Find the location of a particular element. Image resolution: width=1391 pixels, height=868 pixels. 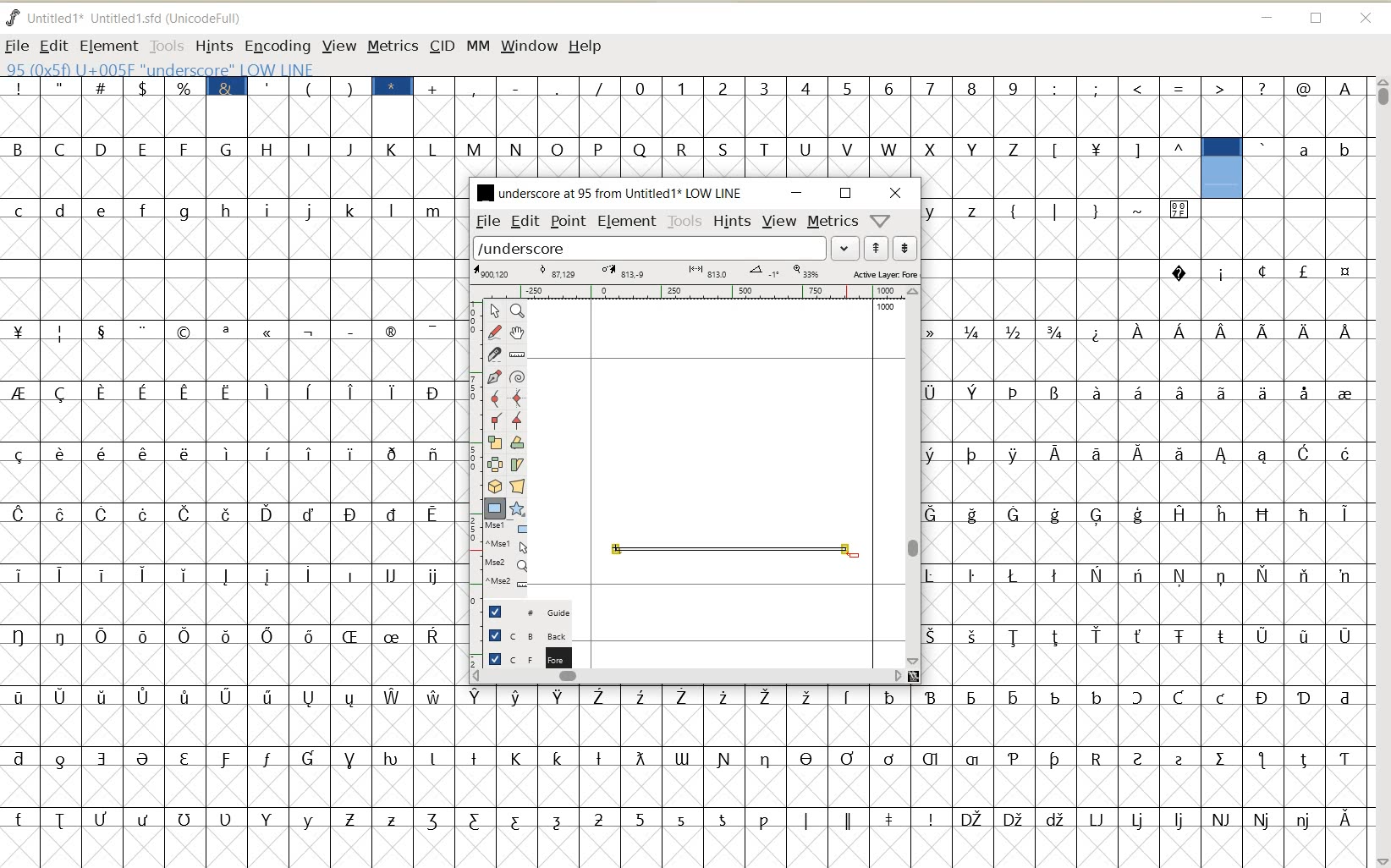

add a curve point always either horizontal or vertical is located at coordinates (518, 397).